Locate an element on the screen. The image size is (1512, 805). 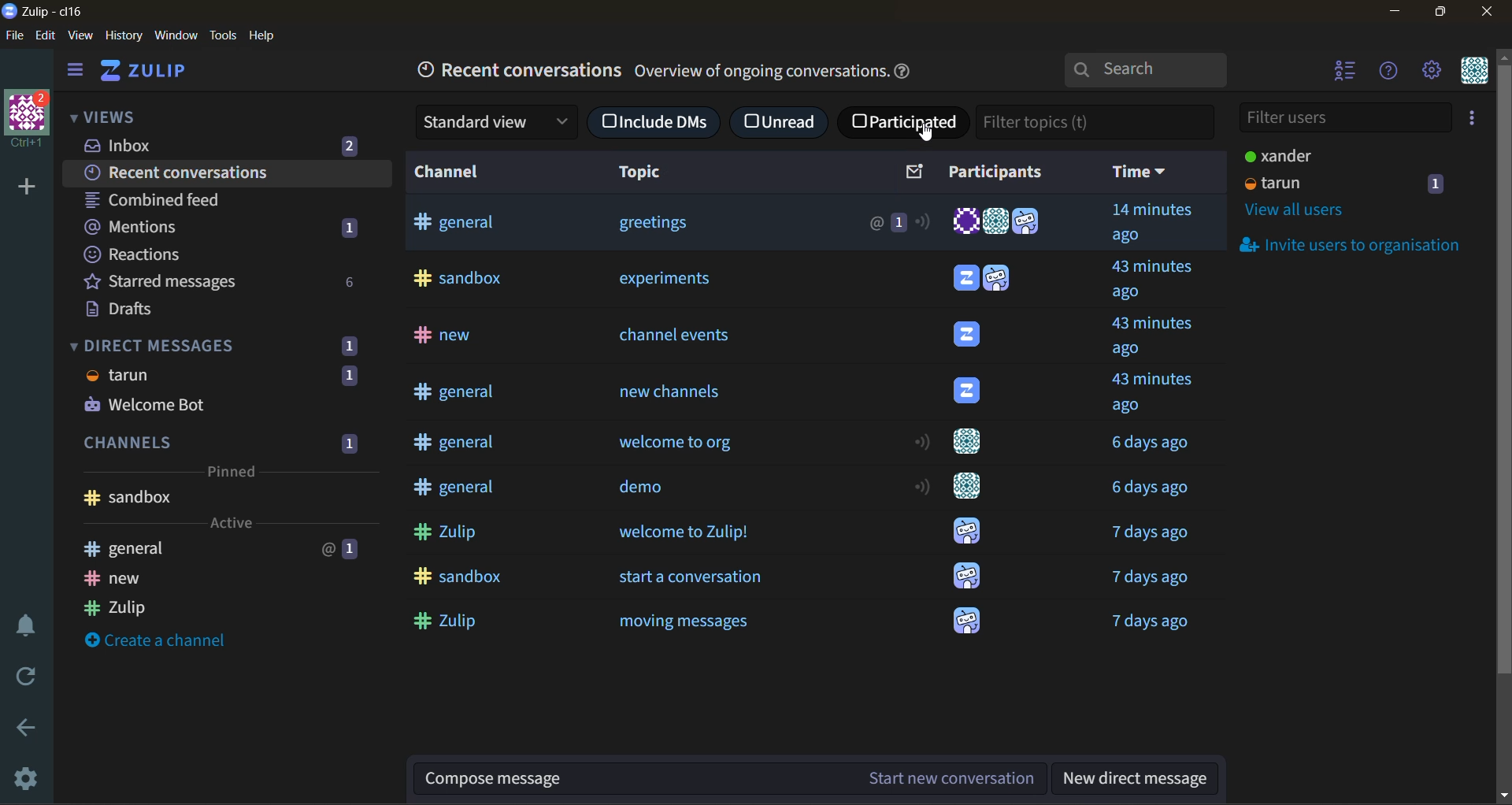
Sandbox is located at coordinates (464, 280).